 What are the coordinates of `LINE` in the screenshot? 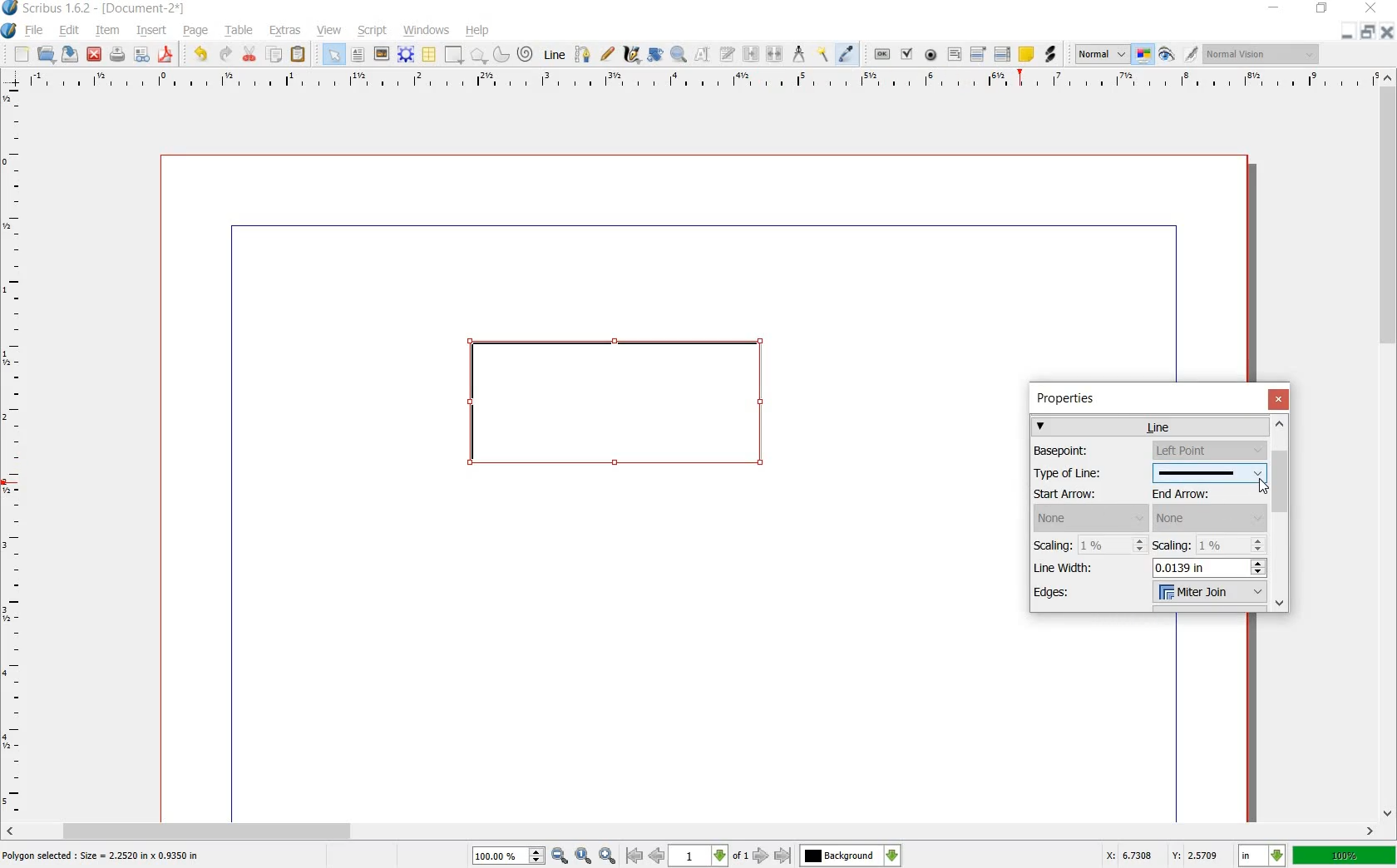 It's located at (555, 52).